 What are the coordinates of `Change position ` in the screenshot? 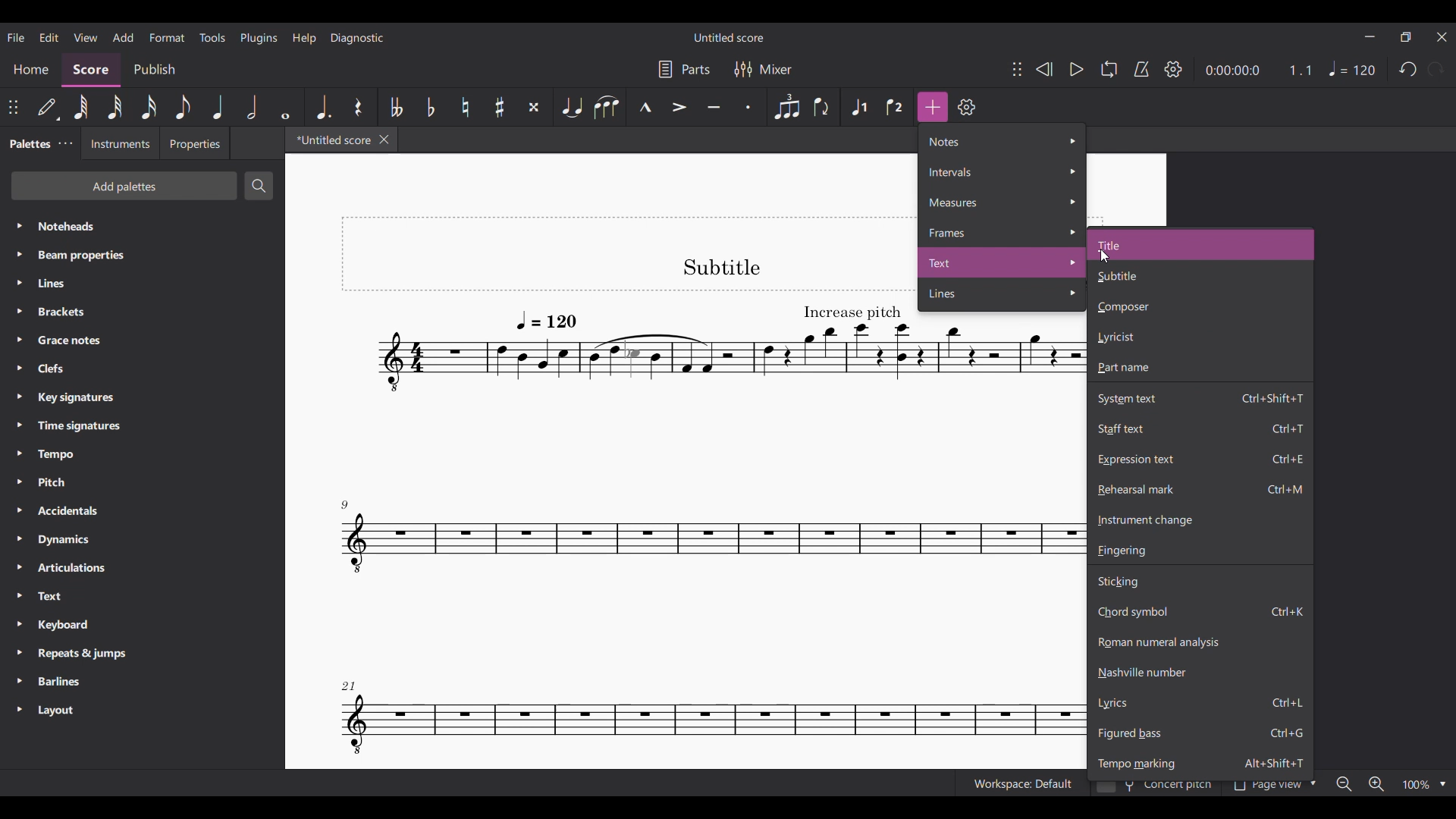 It's located at (13, 107).